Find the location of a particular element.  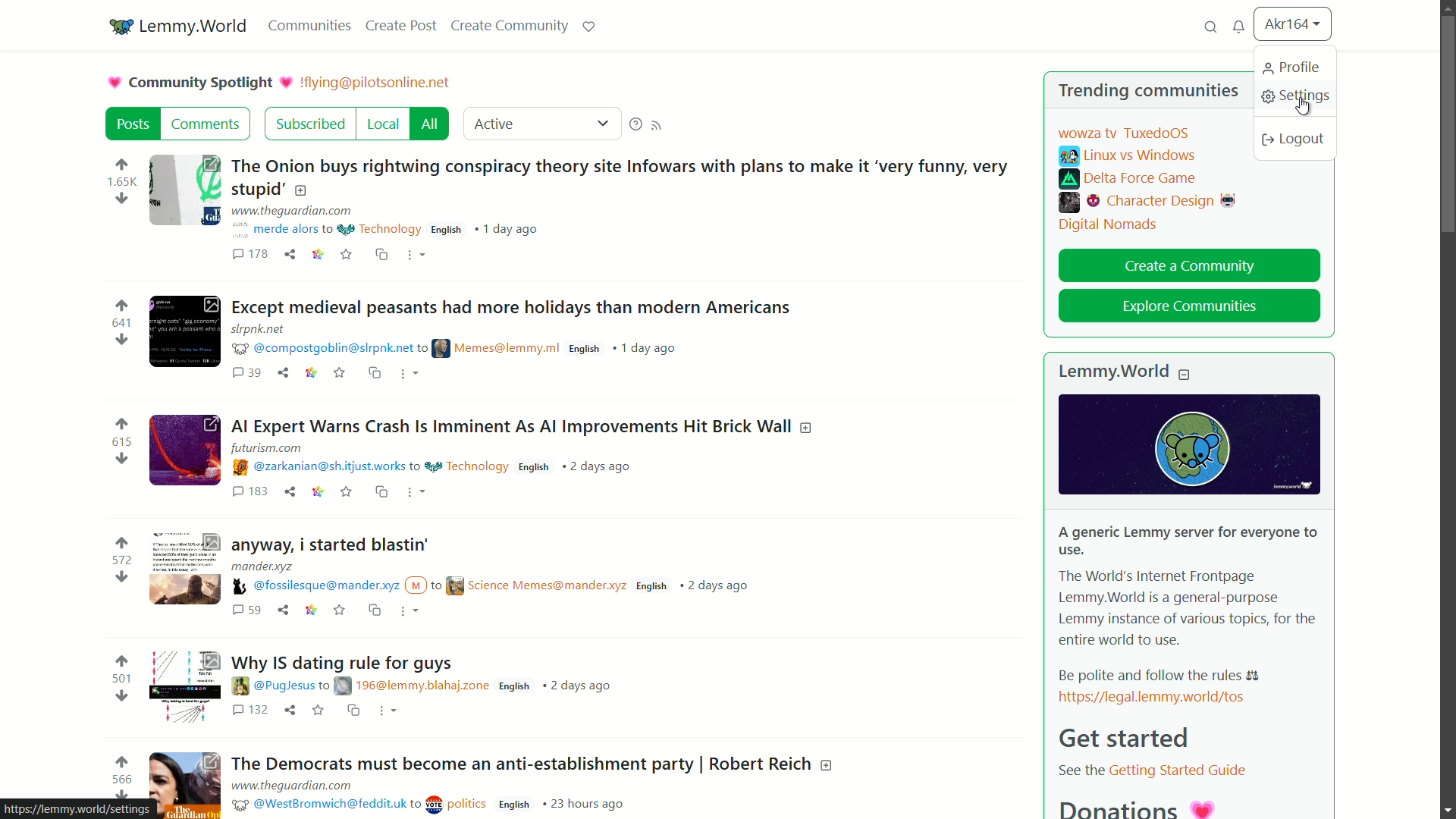

save is located at coordinates (347, 491).